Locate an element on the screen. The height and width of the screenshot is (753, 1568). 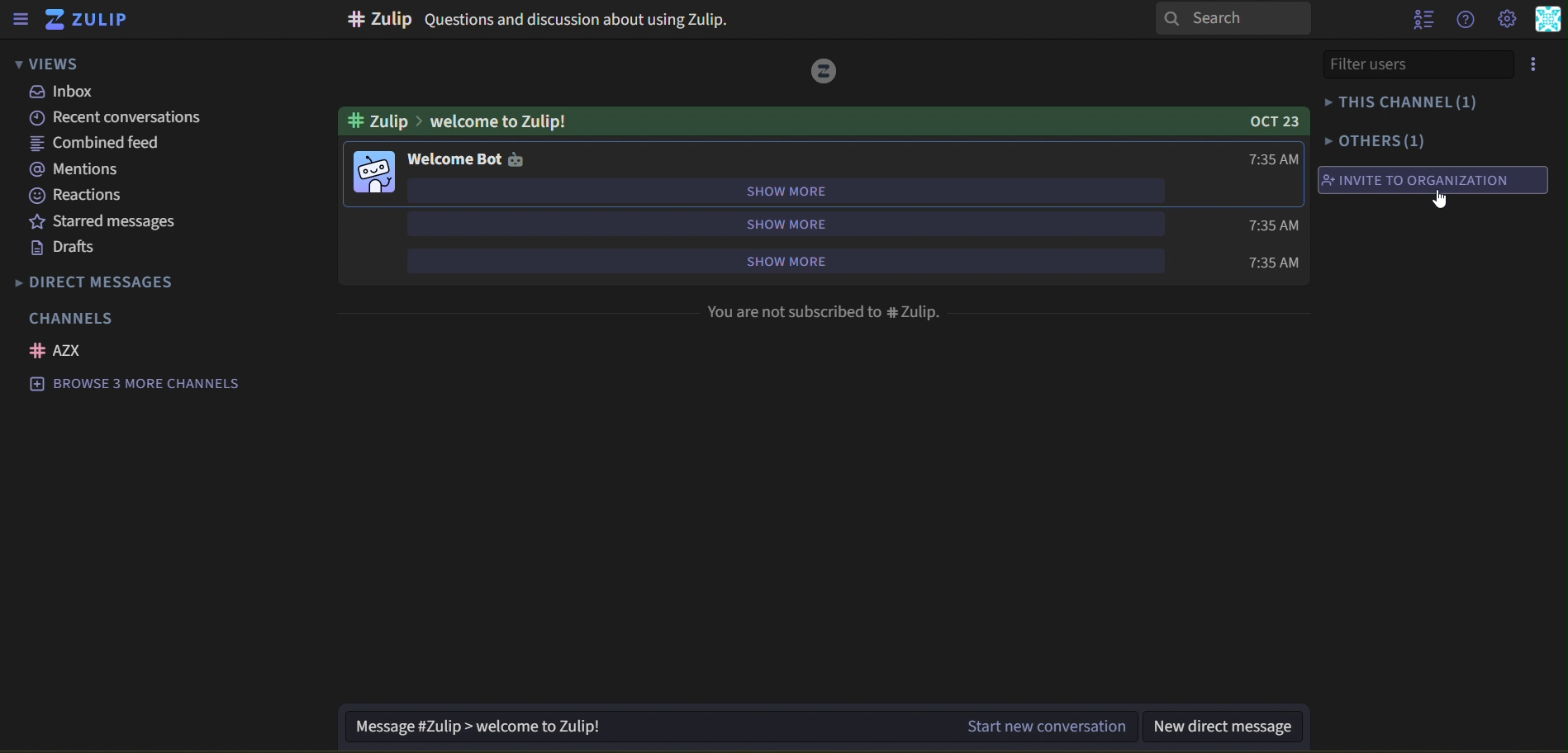
hide user list is located at coordinates (1419, 22).